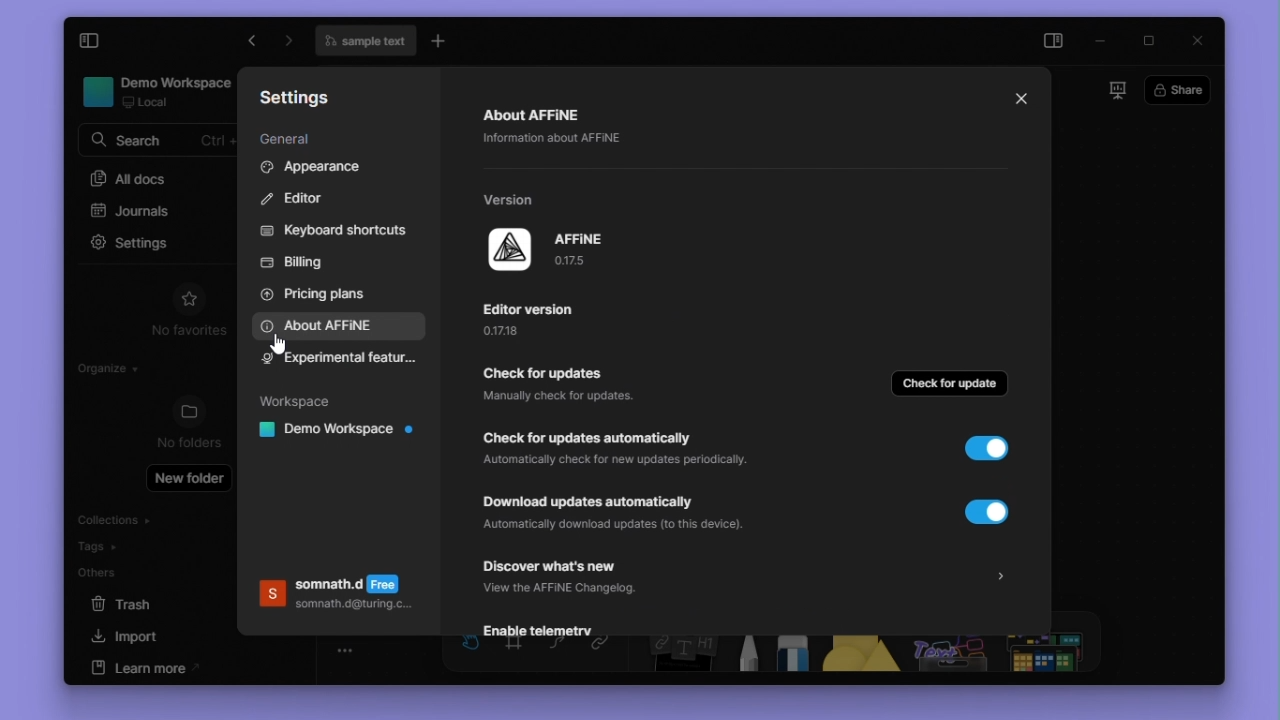 Image resolution: width=1280 pixels, height=720 pixels. Describe the element at coordinates (951, 653) in the screenshot. I see `others` at that location.